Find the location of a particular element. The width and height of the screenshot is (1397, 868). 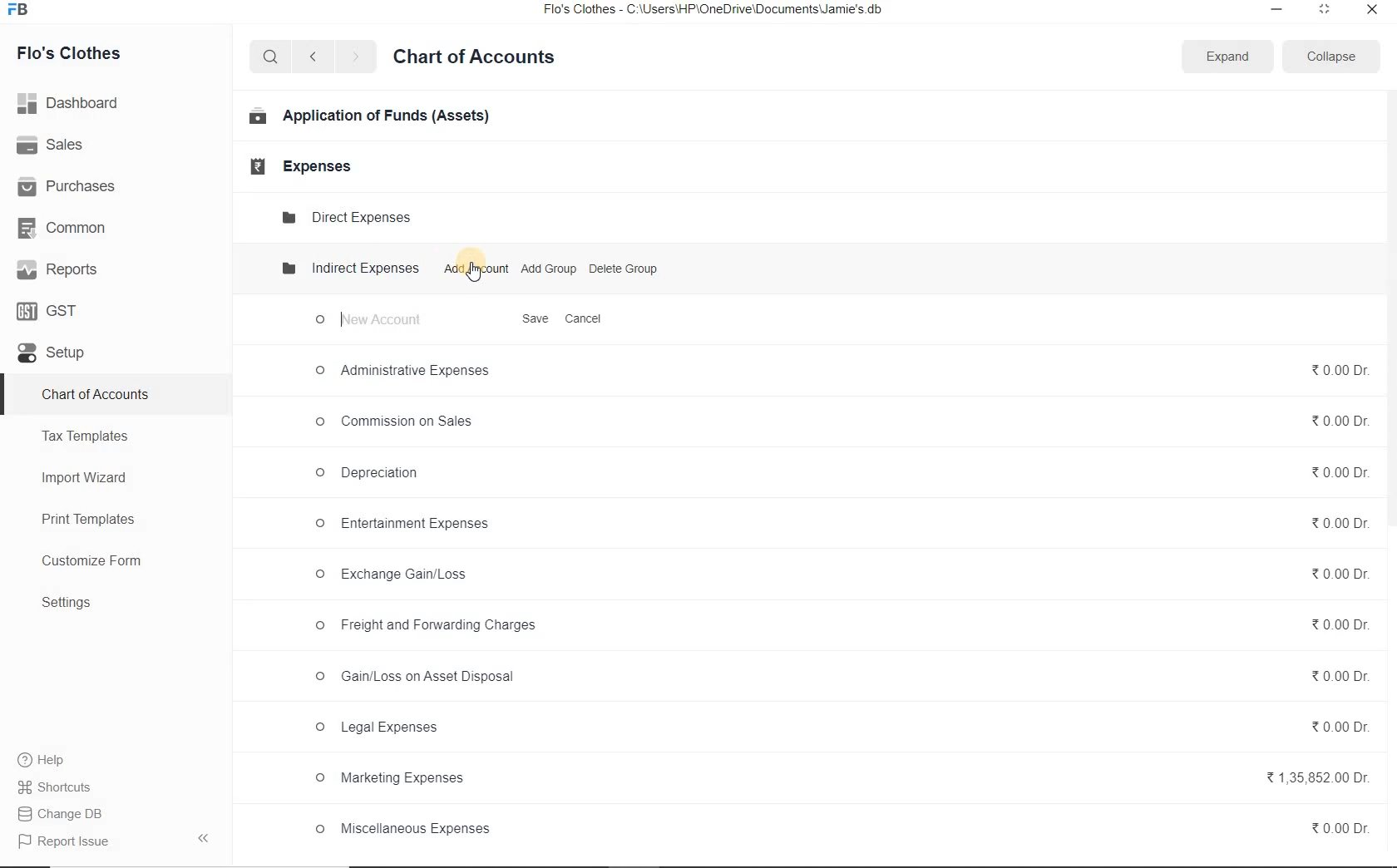

Cancel is located at coordinates (586, 322).